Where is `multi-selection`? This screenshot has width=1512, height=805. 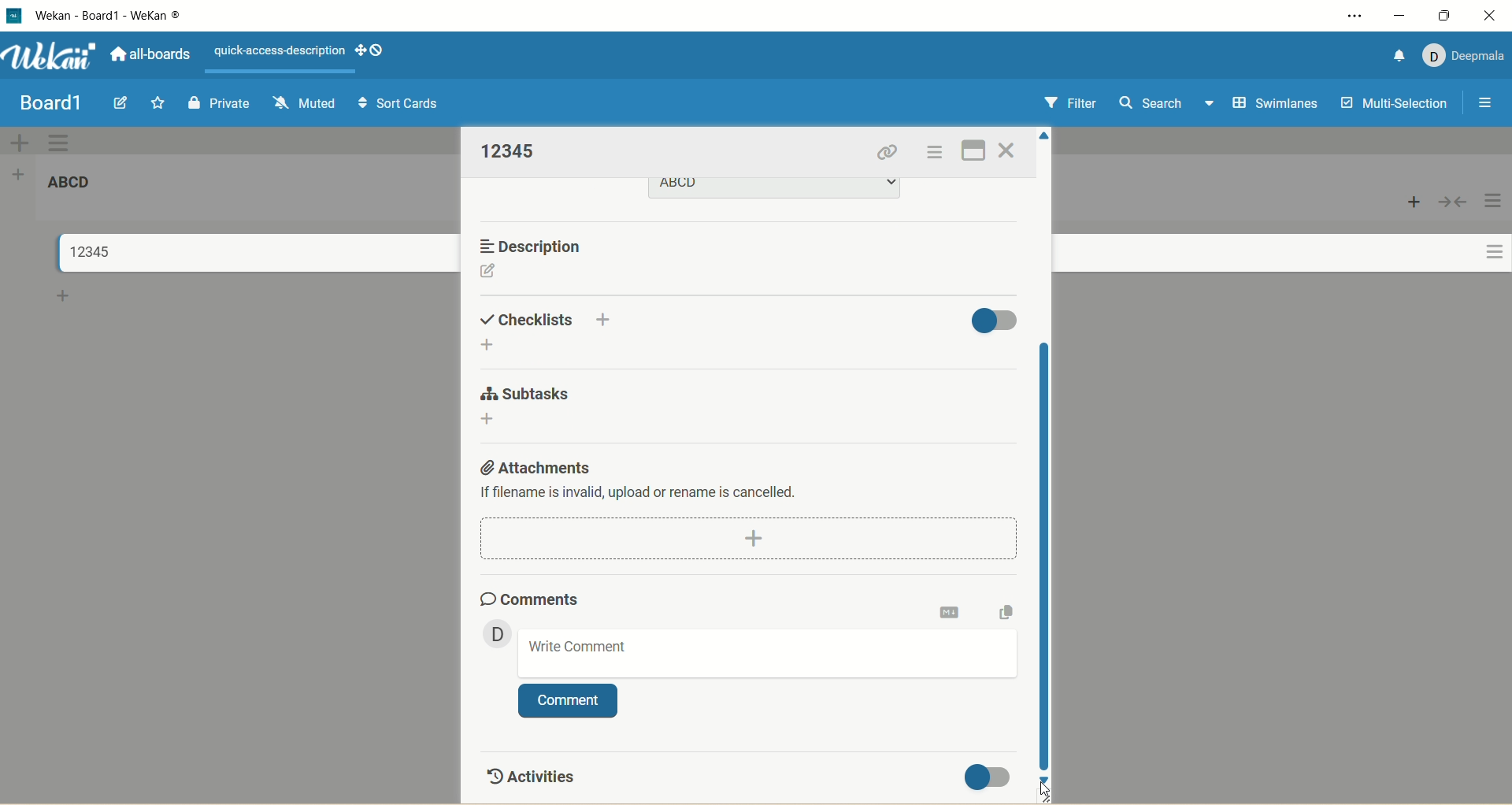 multi-selection is located at coordinates (1392, 104).